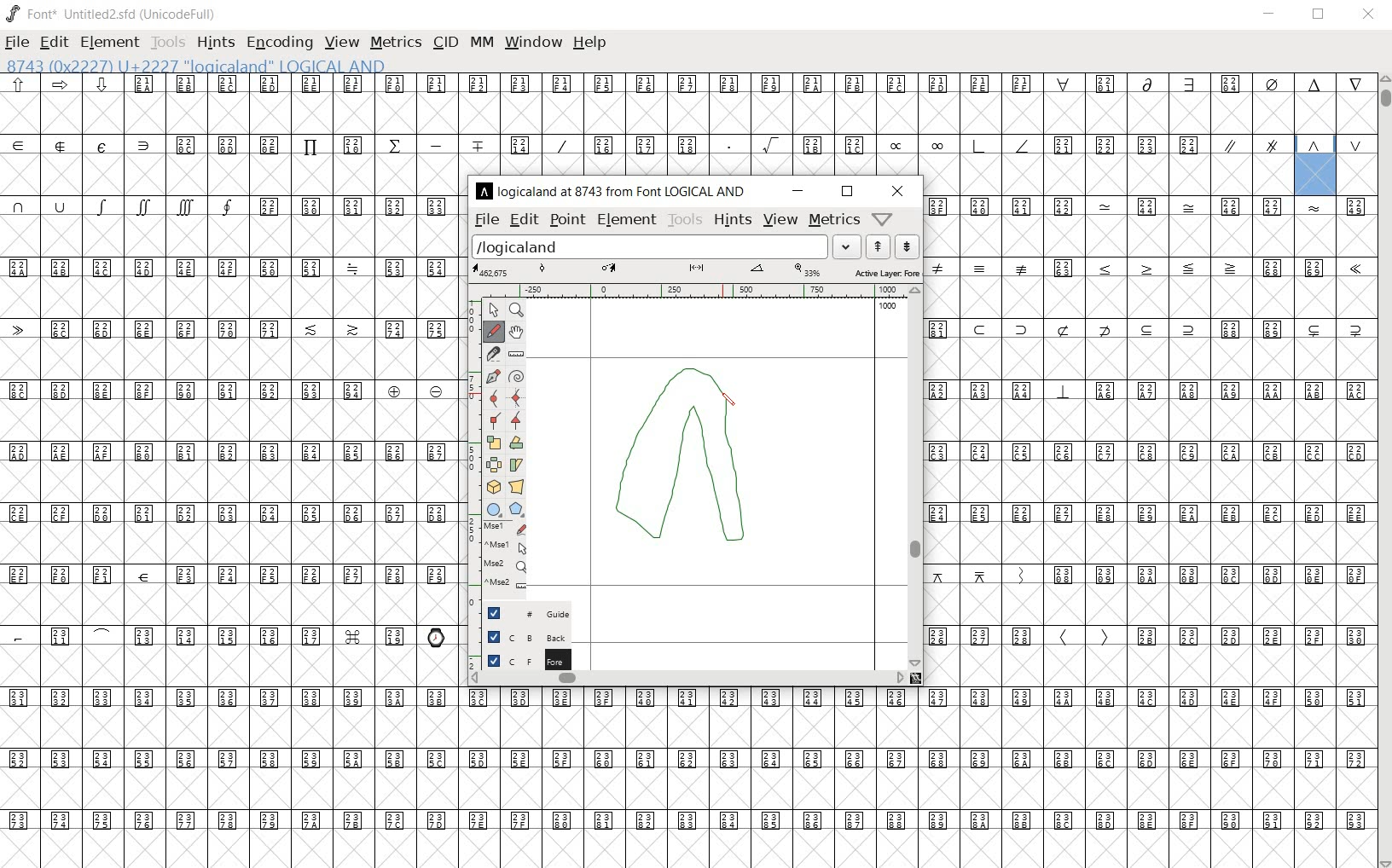 The image size is (1392, 868). Describe the element at coordinates (692, 291) in the screenshot. I see `ruler` at that location.